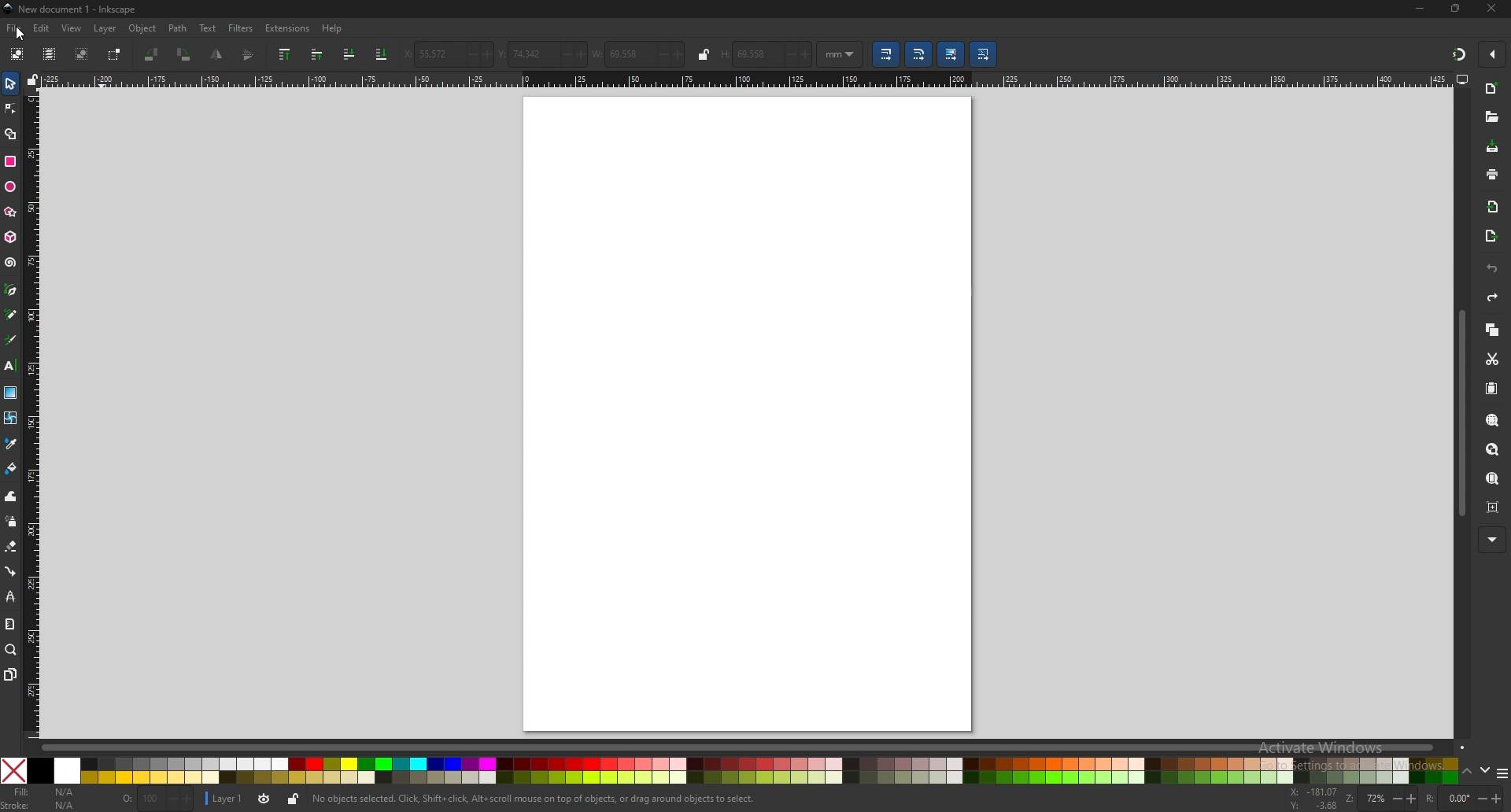 This screenshot has height=812, width=1511. What do you see at coordinates (1462, 414) in the screenshot?
I see `scroll bar` at bounding box center [1462, 414].